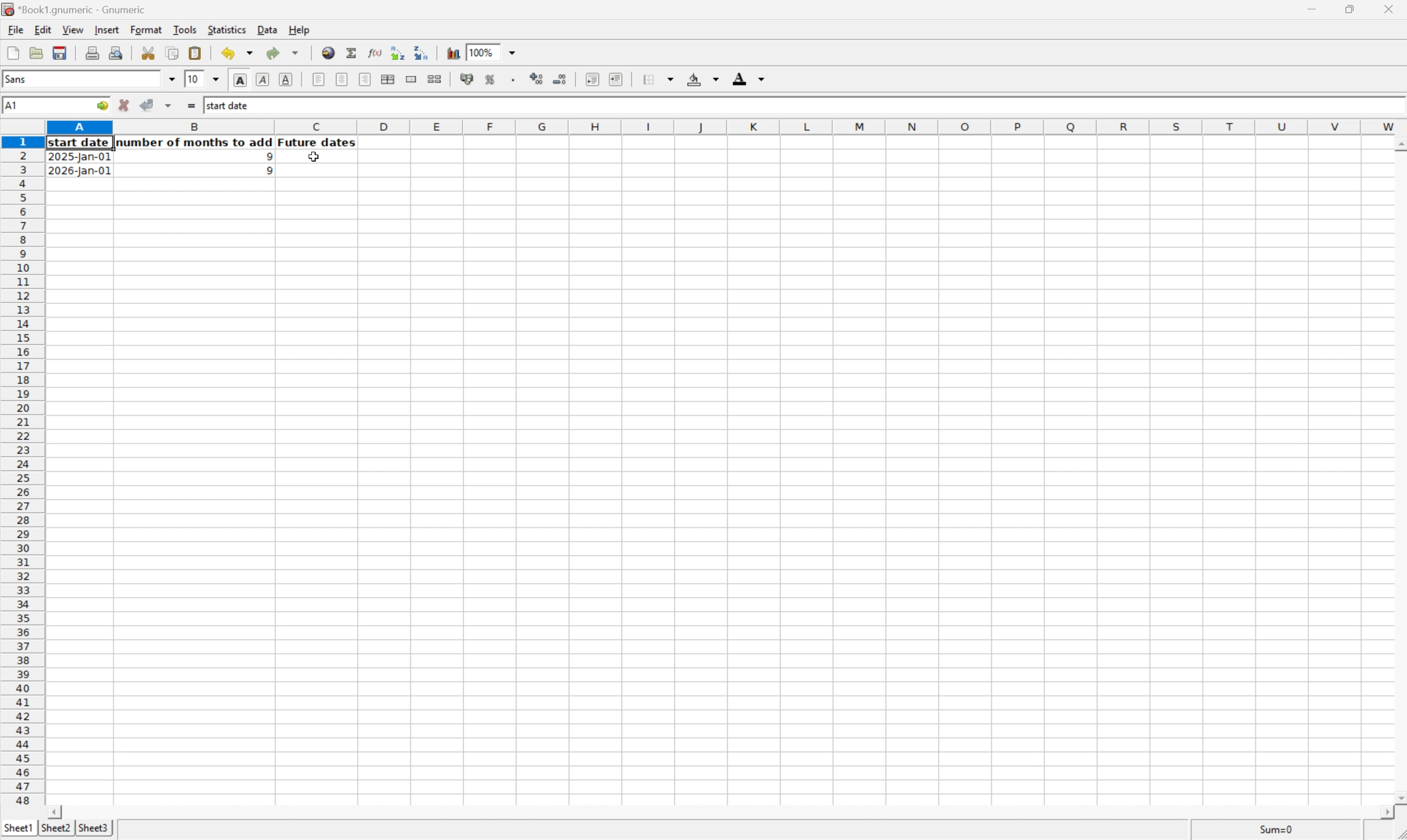 This screenshot has height=840, width=1407. What do you see at coordinates (55, 828) in the screenshot?
I see `Sheet2` at bounding box center [55, 828].